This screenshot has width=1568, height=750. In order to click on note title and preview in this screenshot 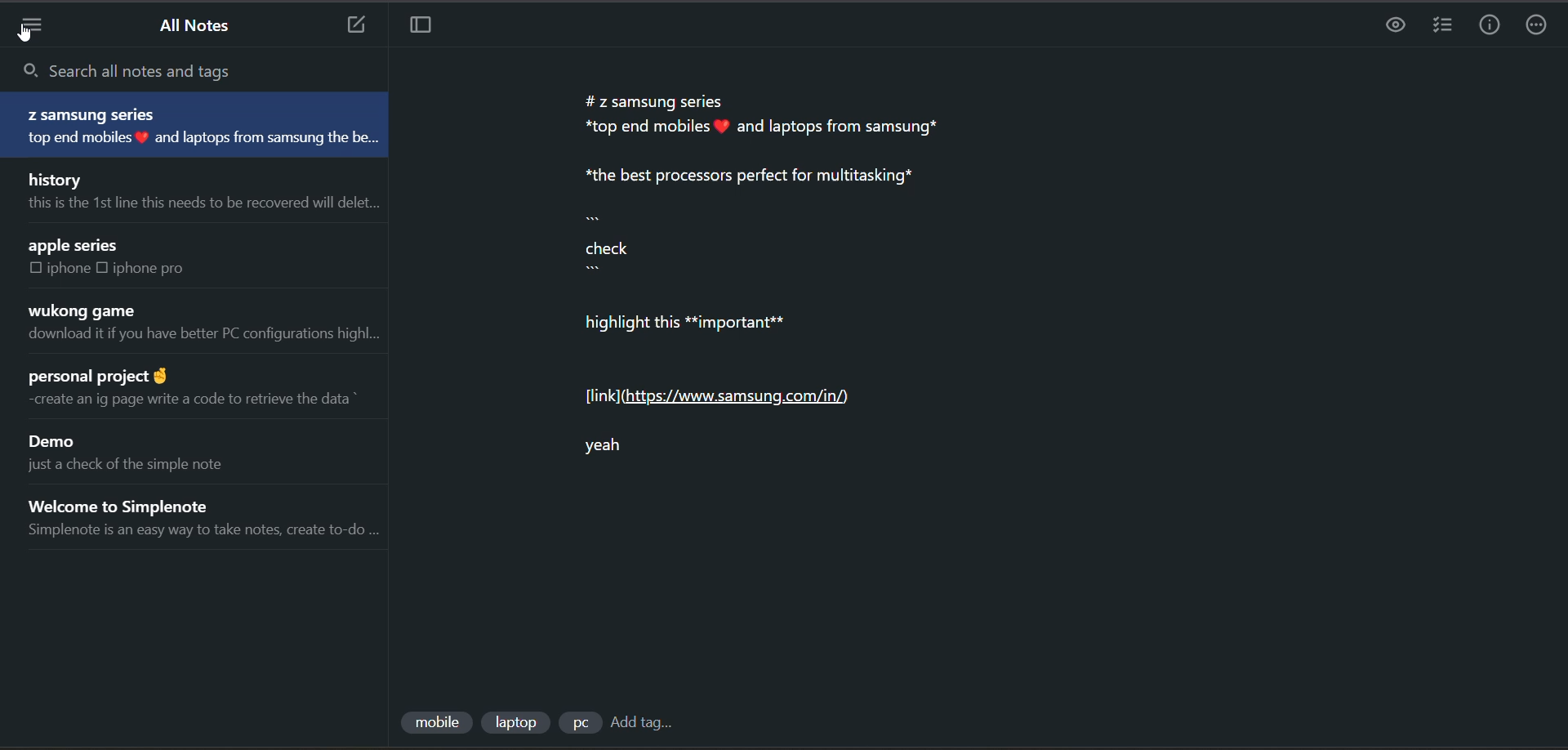, I will do `click(198, 191)`.